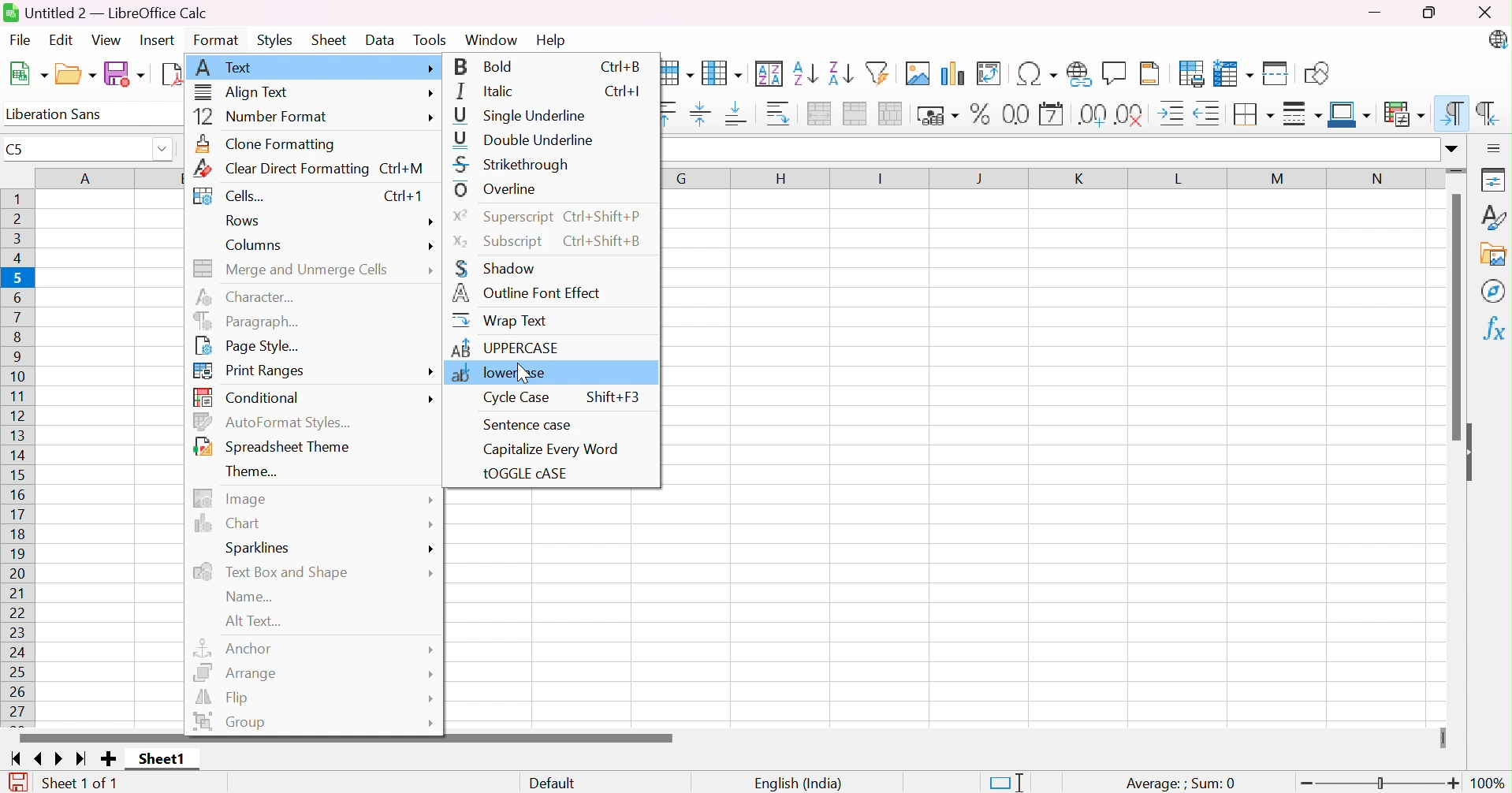 The image size is (1512, 793). What do you see at coordinates (243, 219) in the screenshot?
I see `Rows` at bounding box center [243, 219].